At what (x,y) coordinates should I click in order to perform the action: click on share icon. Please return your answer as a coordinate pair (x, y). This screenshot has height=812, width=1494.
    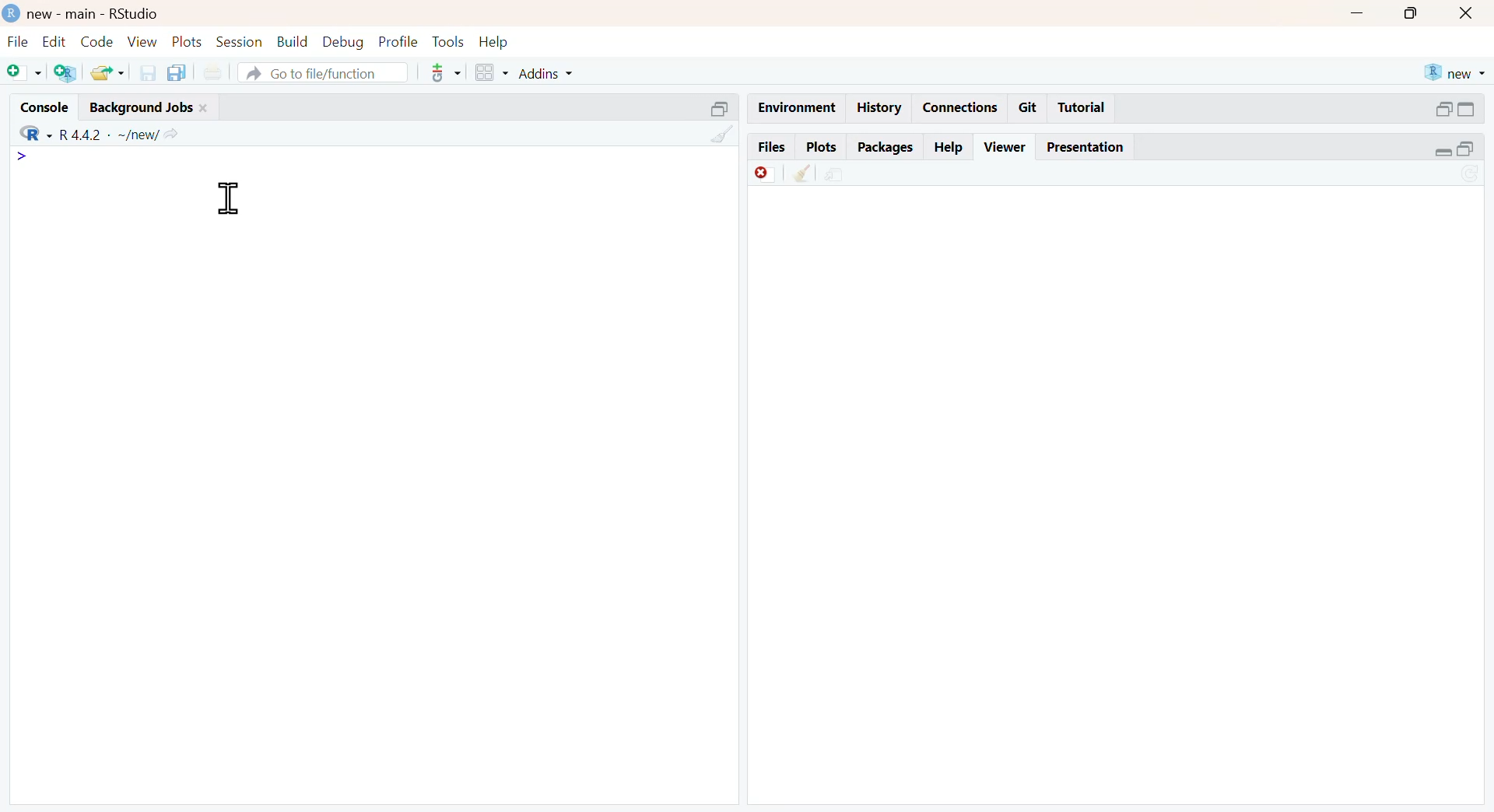
    Looking at the image, I should click on (171, 135).